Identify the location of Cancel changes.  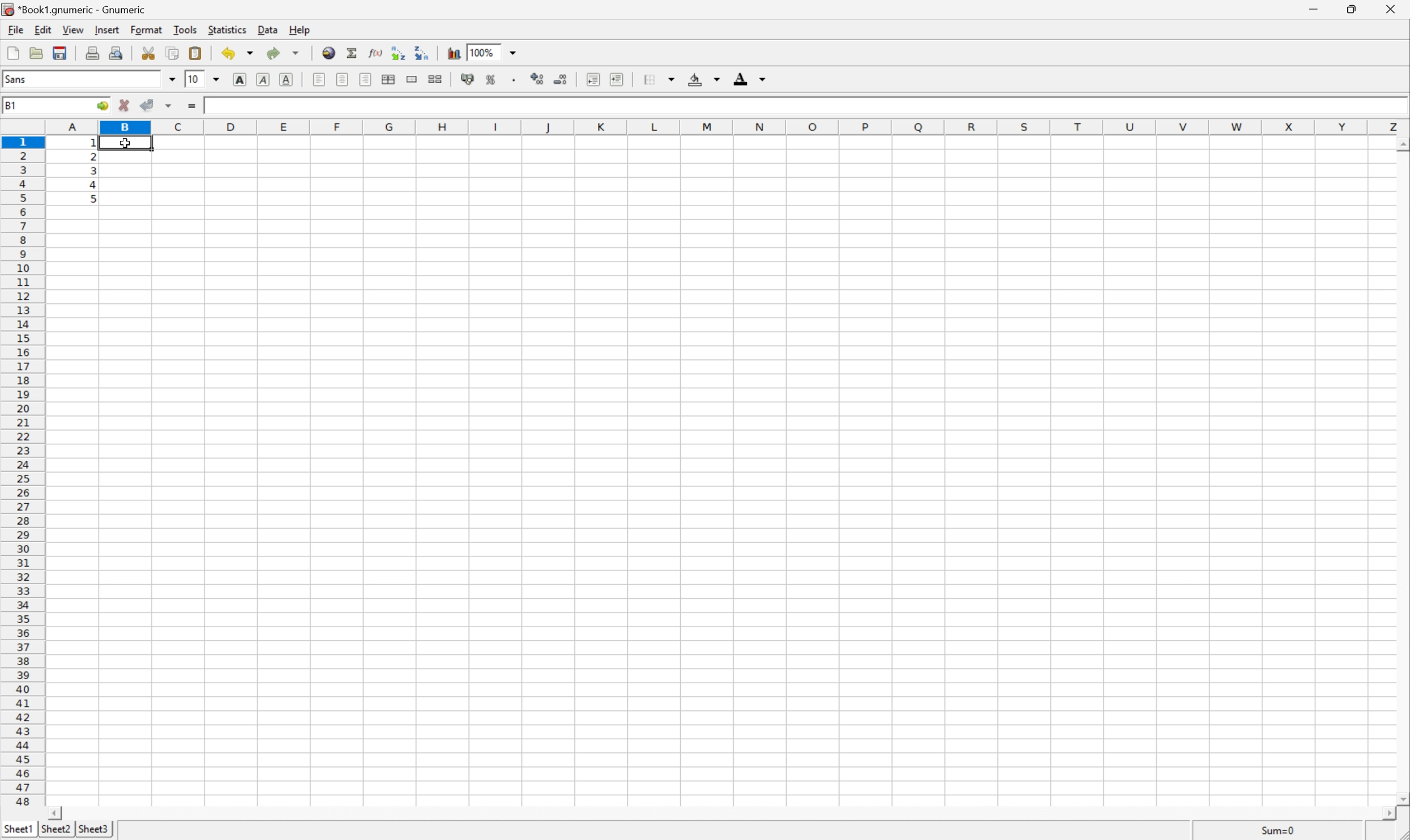
(122, 104).